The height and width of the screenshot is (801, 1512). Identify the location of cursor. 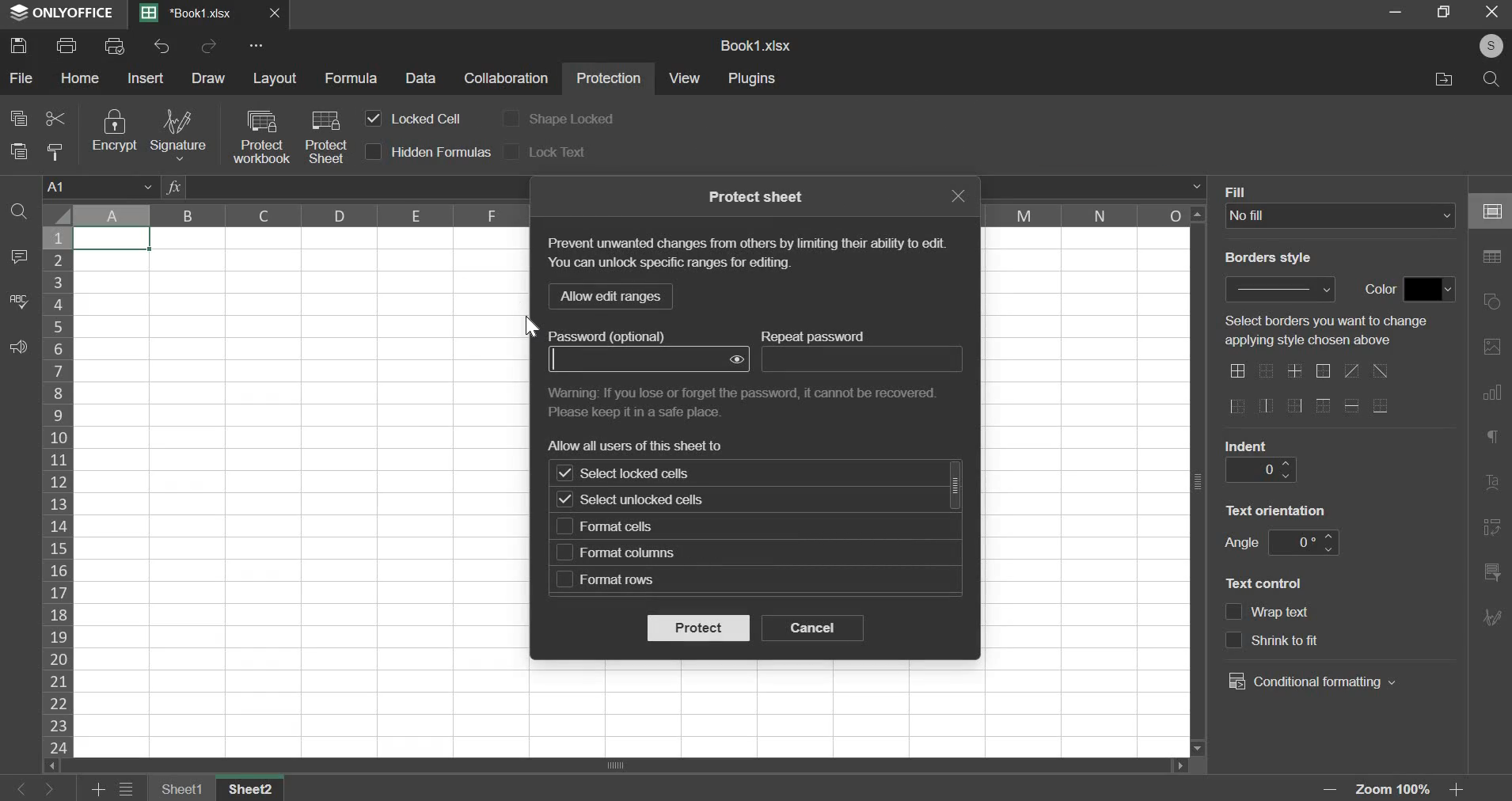
(531, 326).